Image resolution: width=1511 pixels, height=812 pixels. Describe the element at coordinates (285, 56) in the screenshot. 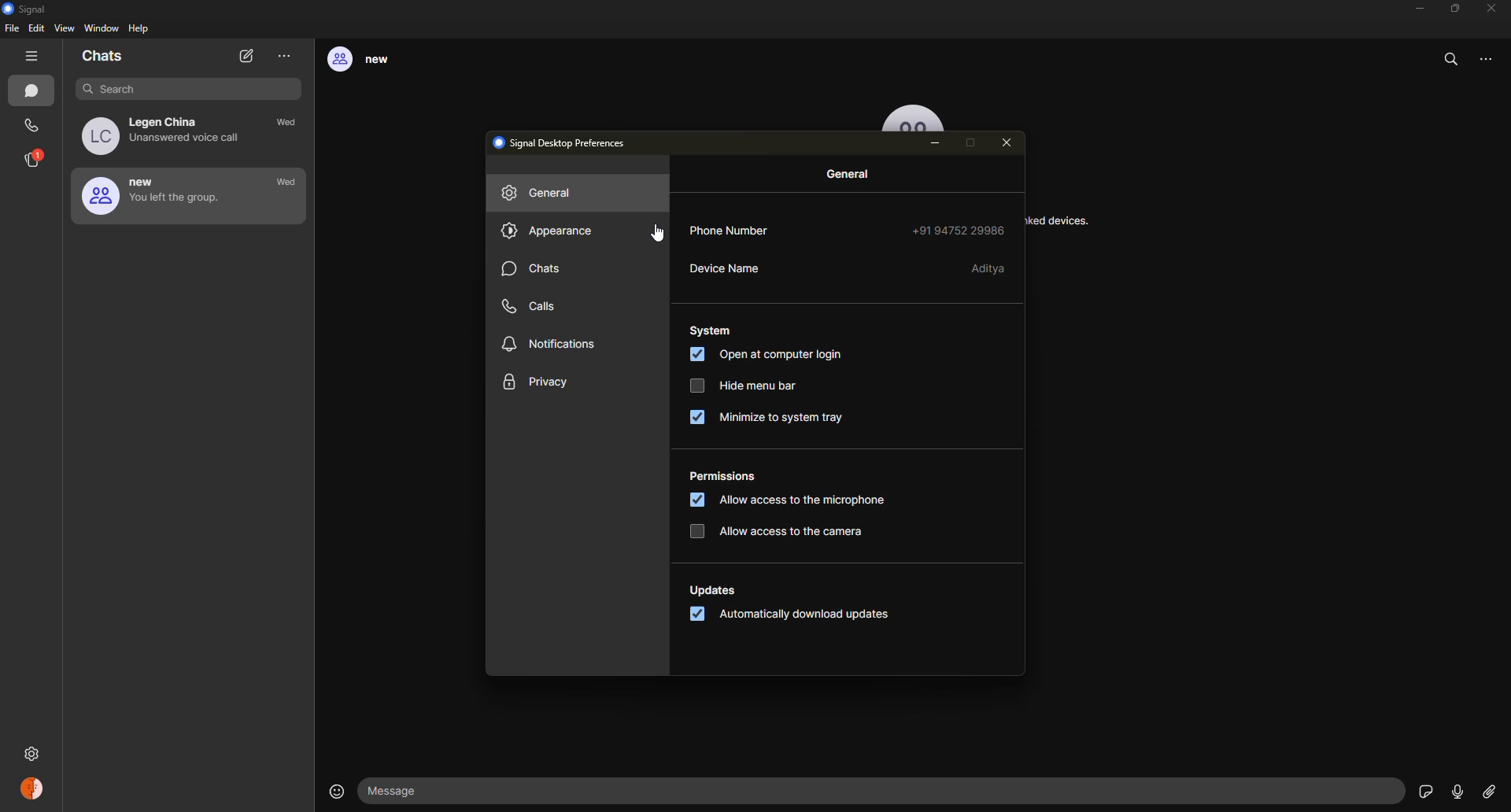

I see `more` at that location.